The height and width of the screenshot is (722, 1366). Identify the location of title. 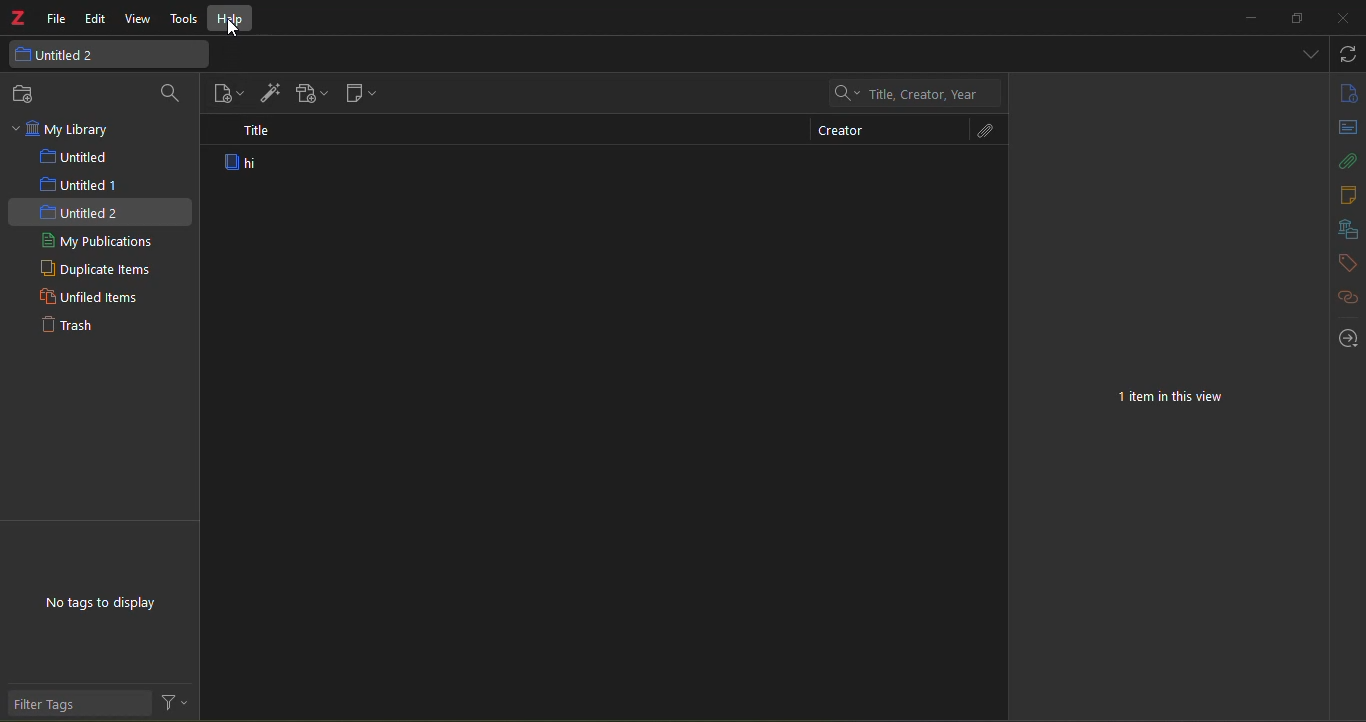
(258, 133).